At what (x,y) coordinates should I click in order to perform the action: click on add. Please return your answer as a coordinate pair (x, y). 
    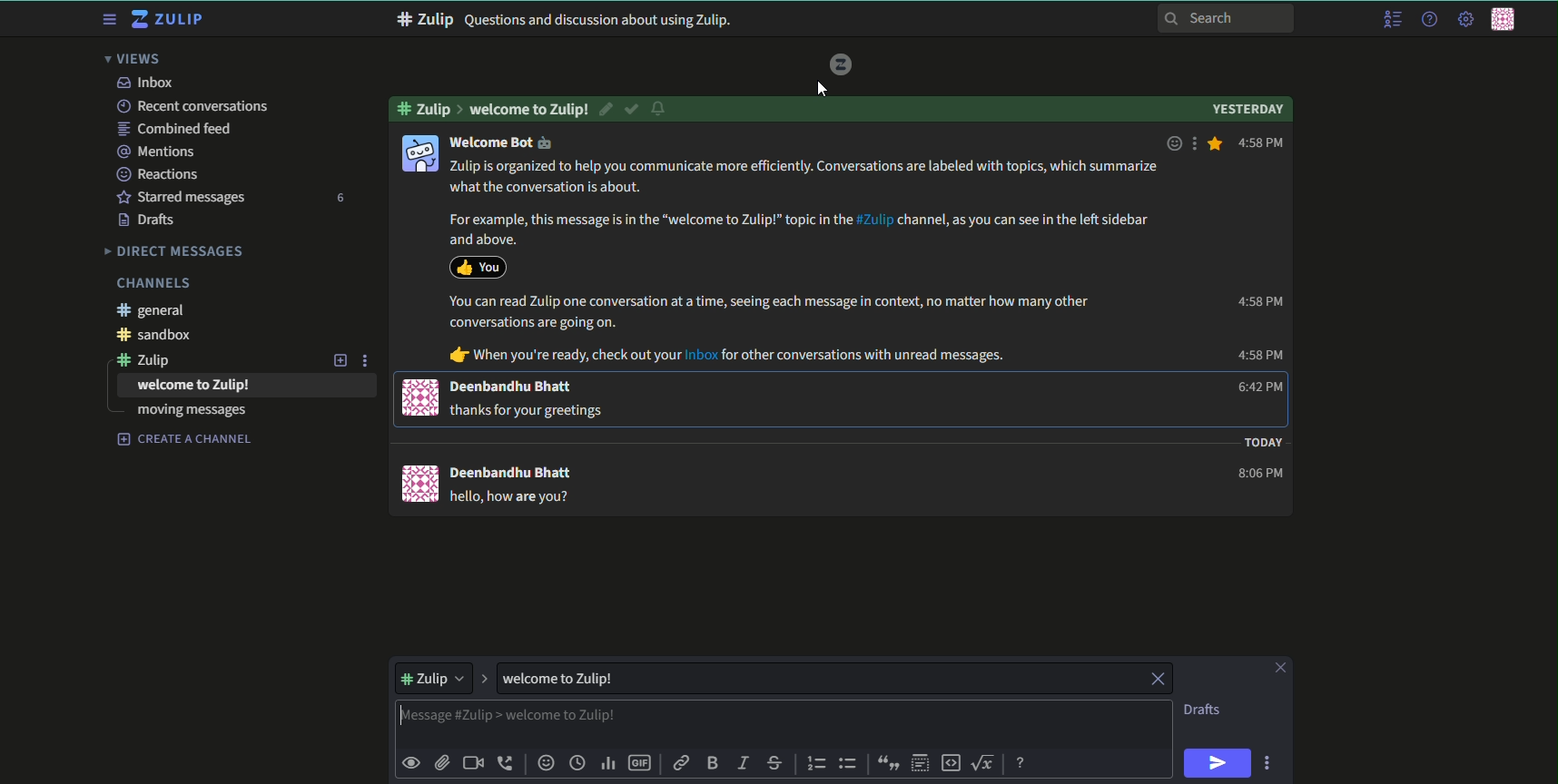
    Looking at the image, I should click on (338, 359).